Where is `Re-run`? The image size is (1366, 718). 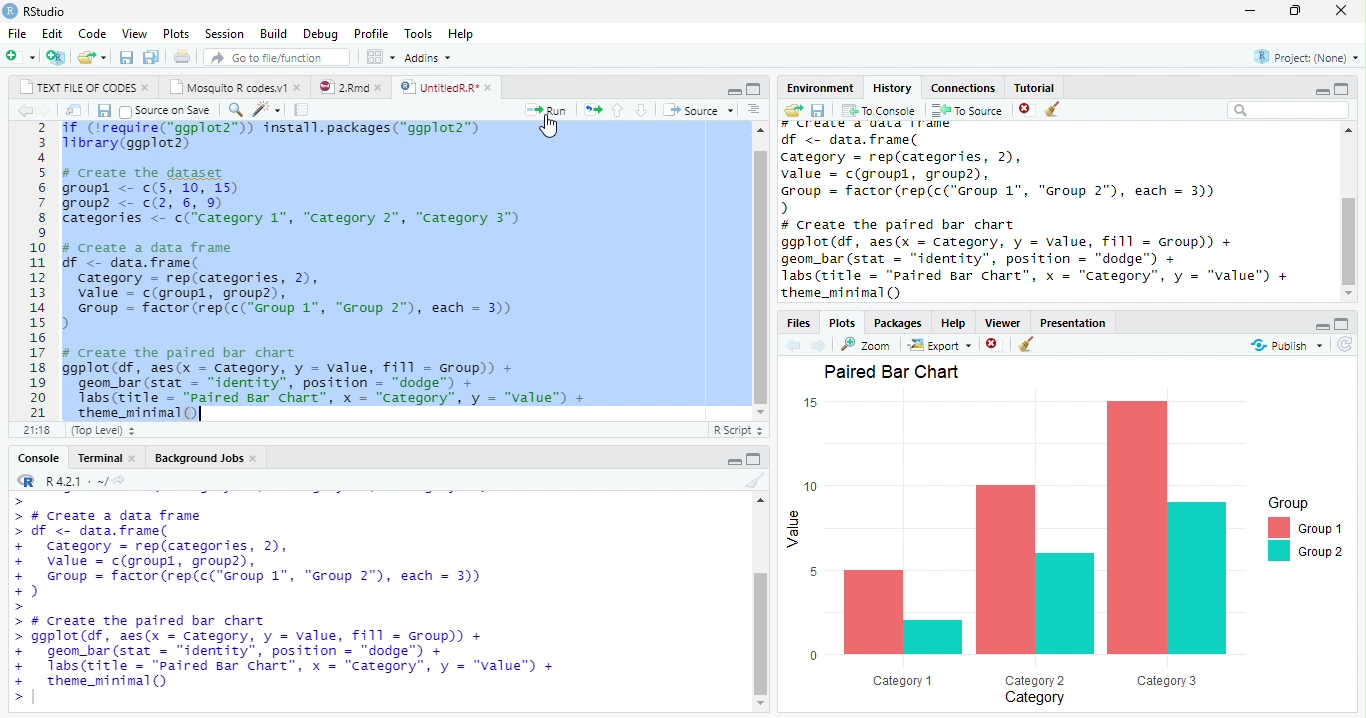
Re-run is located at coordinates (592, 110).